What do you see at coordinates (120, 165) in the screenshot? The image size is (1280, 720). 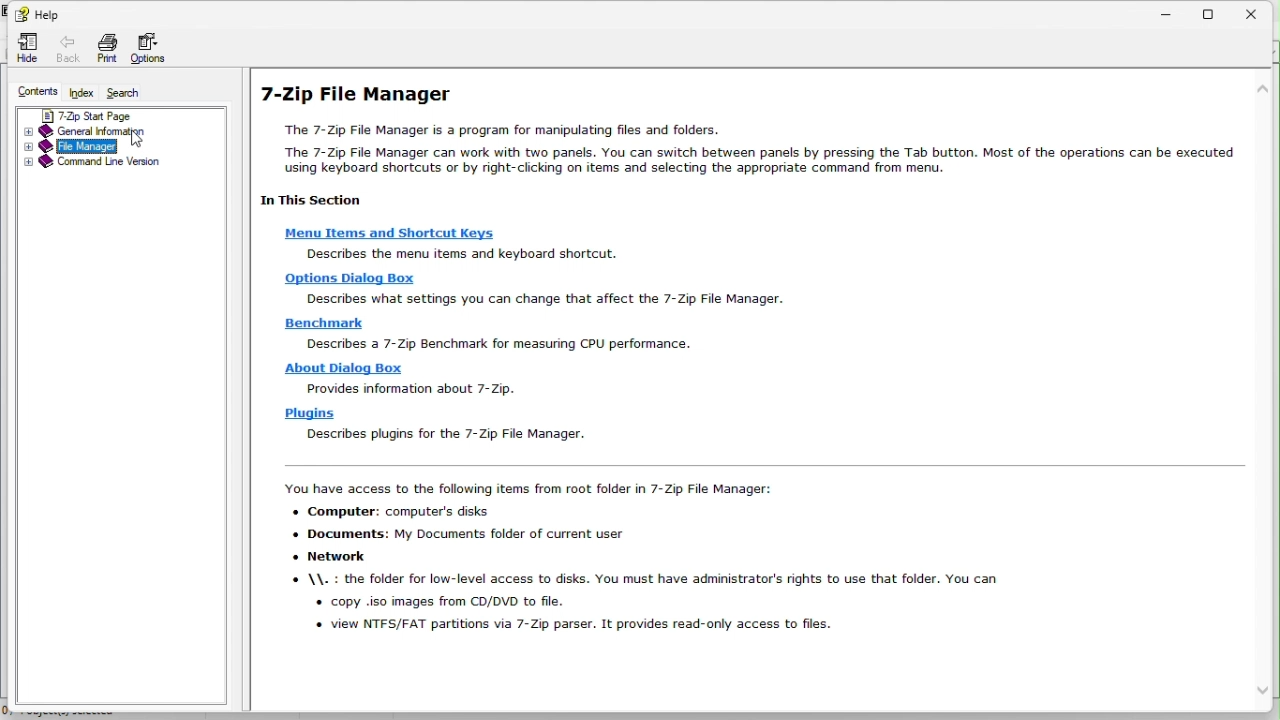 I see `Command line version` at bounding box center [120, 165].